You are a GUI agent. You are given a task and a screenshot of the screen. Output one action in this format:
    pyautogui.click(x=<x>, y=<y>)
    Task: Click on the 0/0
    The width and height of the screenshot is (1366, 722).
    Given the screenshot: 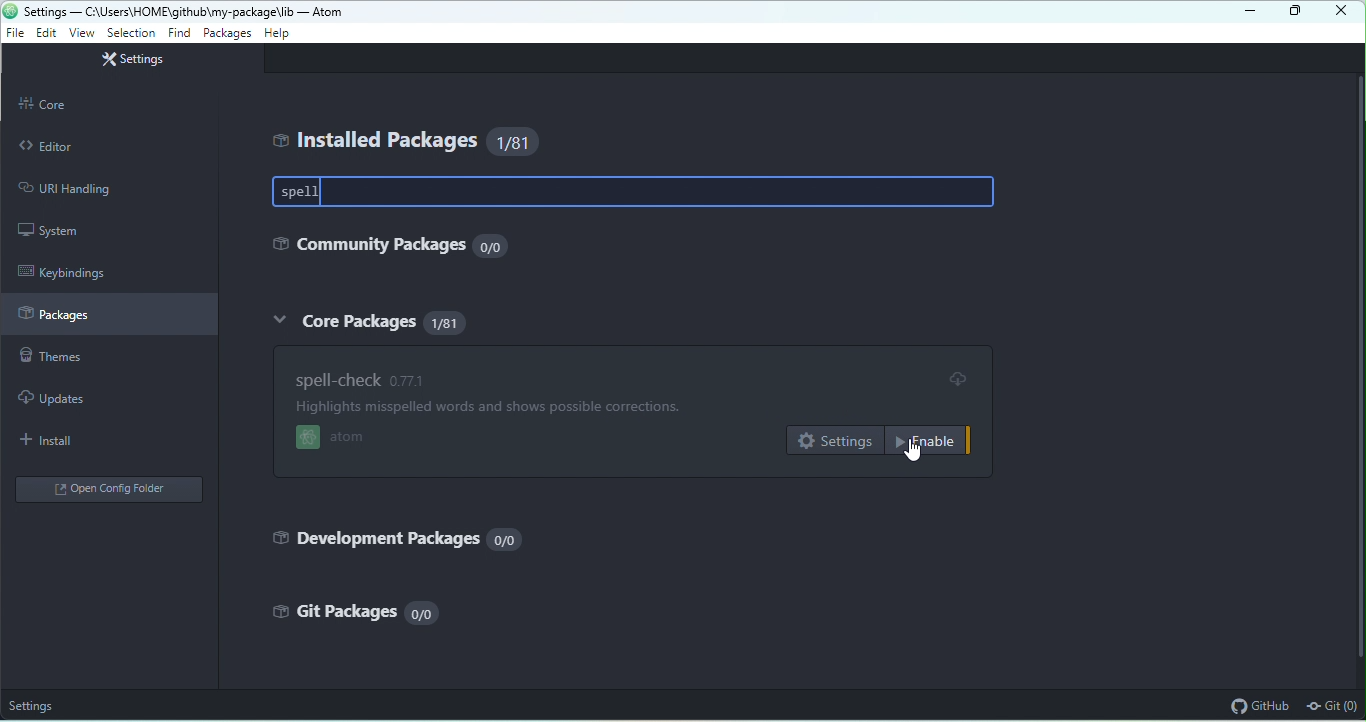 What is the action you would take?
    pyautogui.click(x=507, y=540)
    